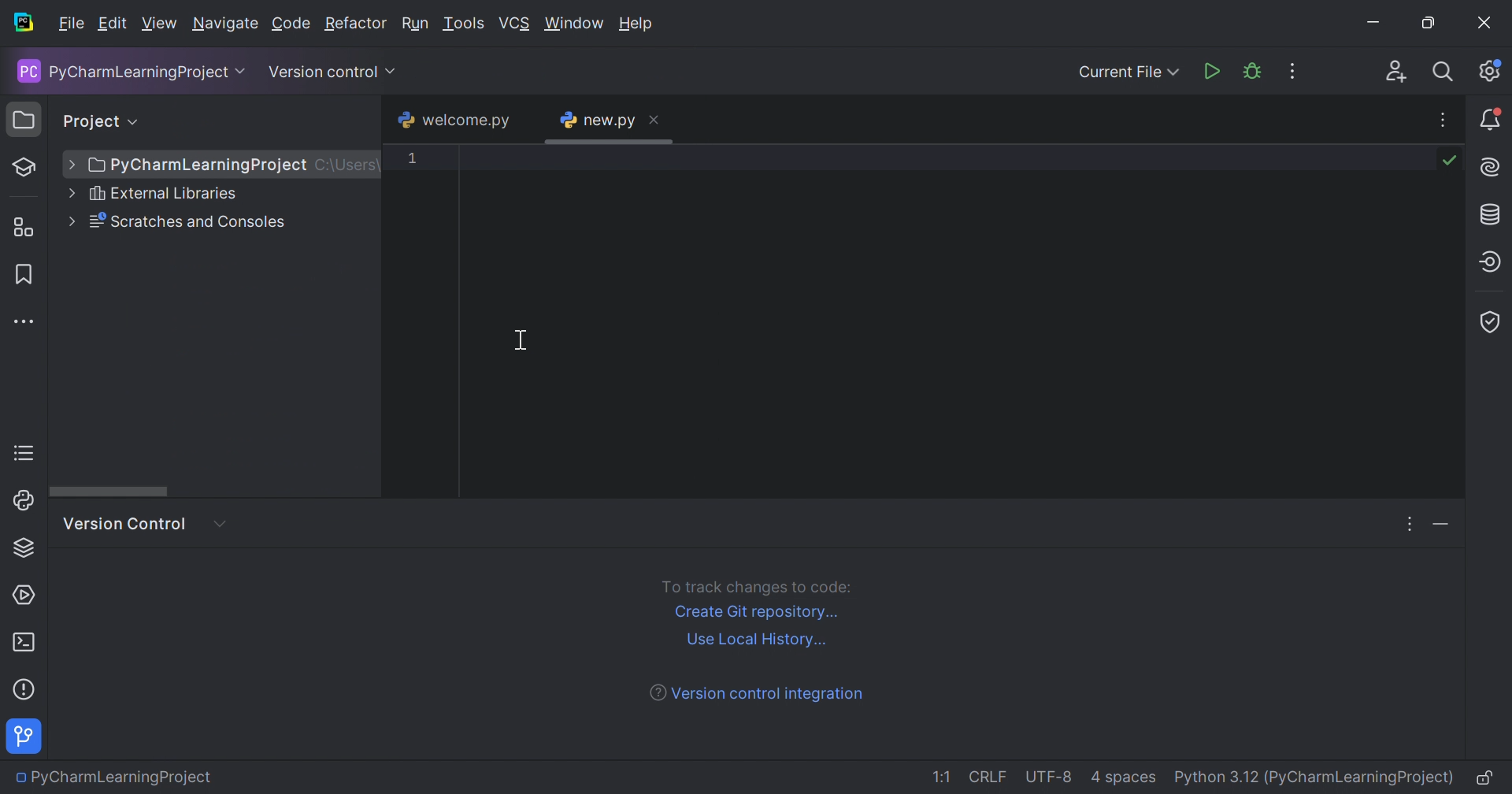 The image size is (1512, 794). I want to click on PyCharmLearningProject, so click(198, 165).